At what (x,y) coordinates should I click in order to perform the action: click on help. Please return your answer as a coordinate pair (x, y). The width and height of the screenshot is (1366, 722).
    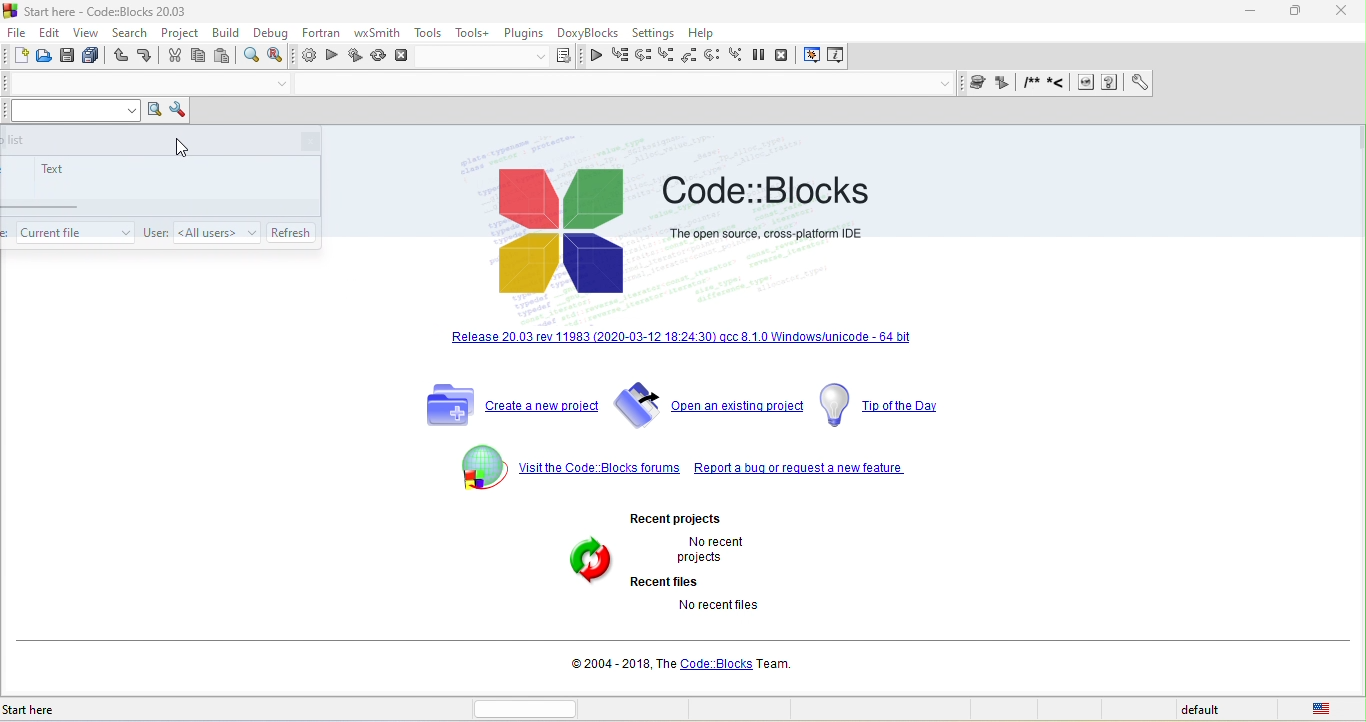
    Looking at the image, I should click on (705, 34).